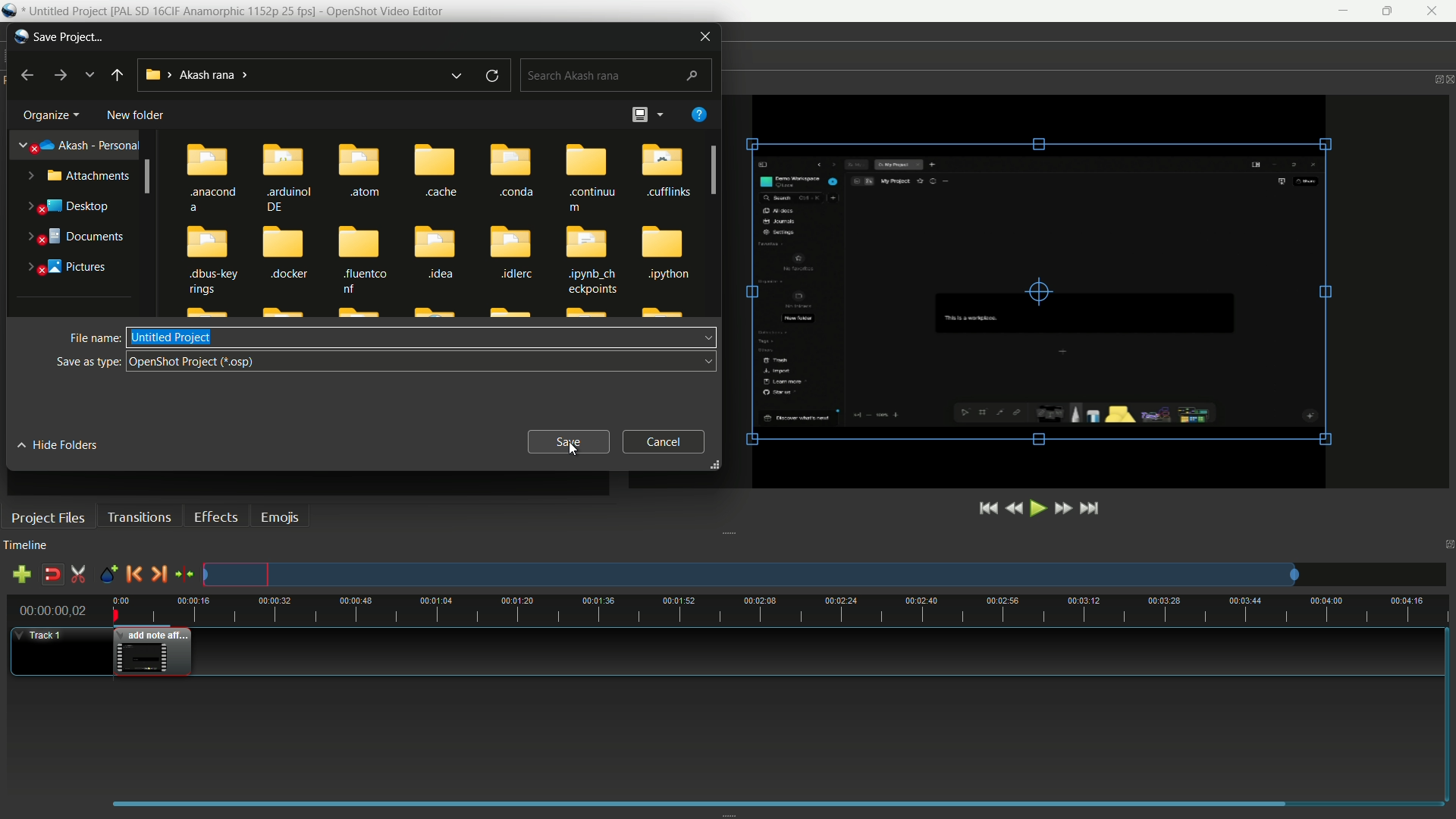 The height and width of the screenshot is (819, 1456). I want to click on search bar, so click(613, 76).